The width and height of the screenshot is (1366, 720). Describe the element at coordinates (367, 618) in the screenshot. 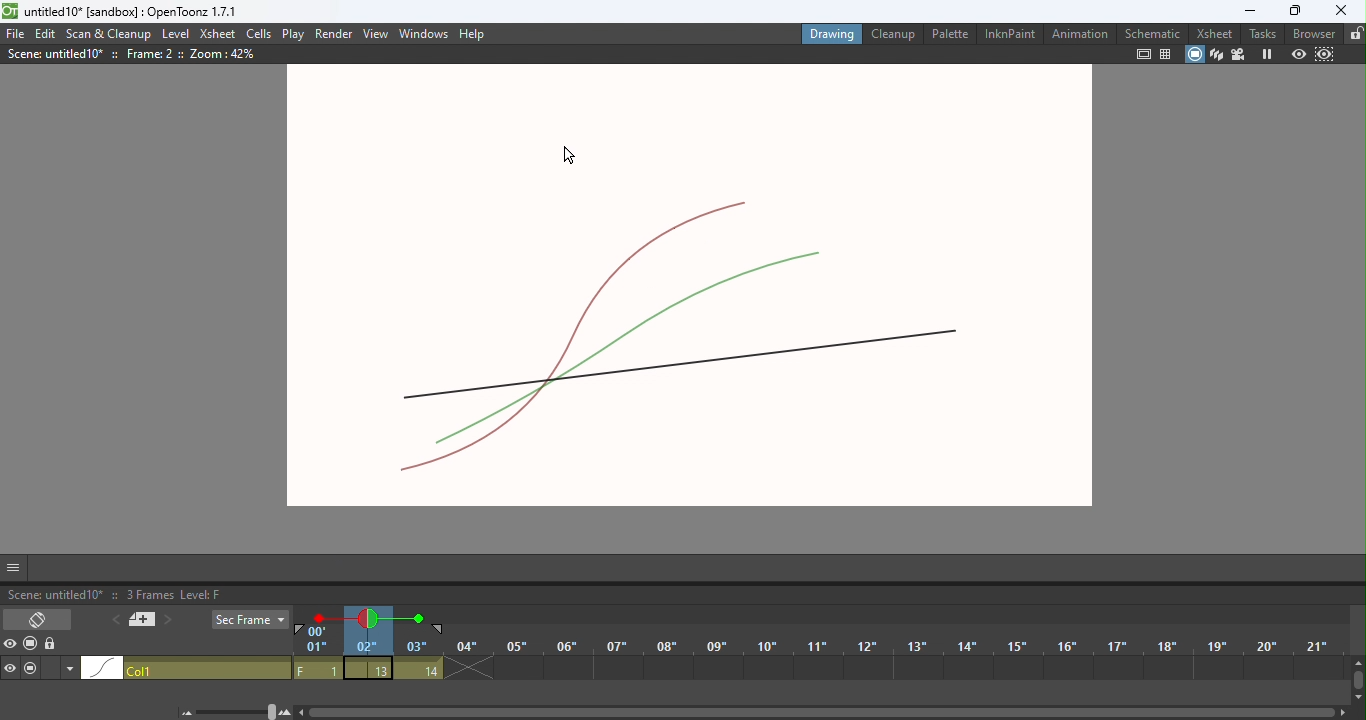

I see `Onion skin` at that location.